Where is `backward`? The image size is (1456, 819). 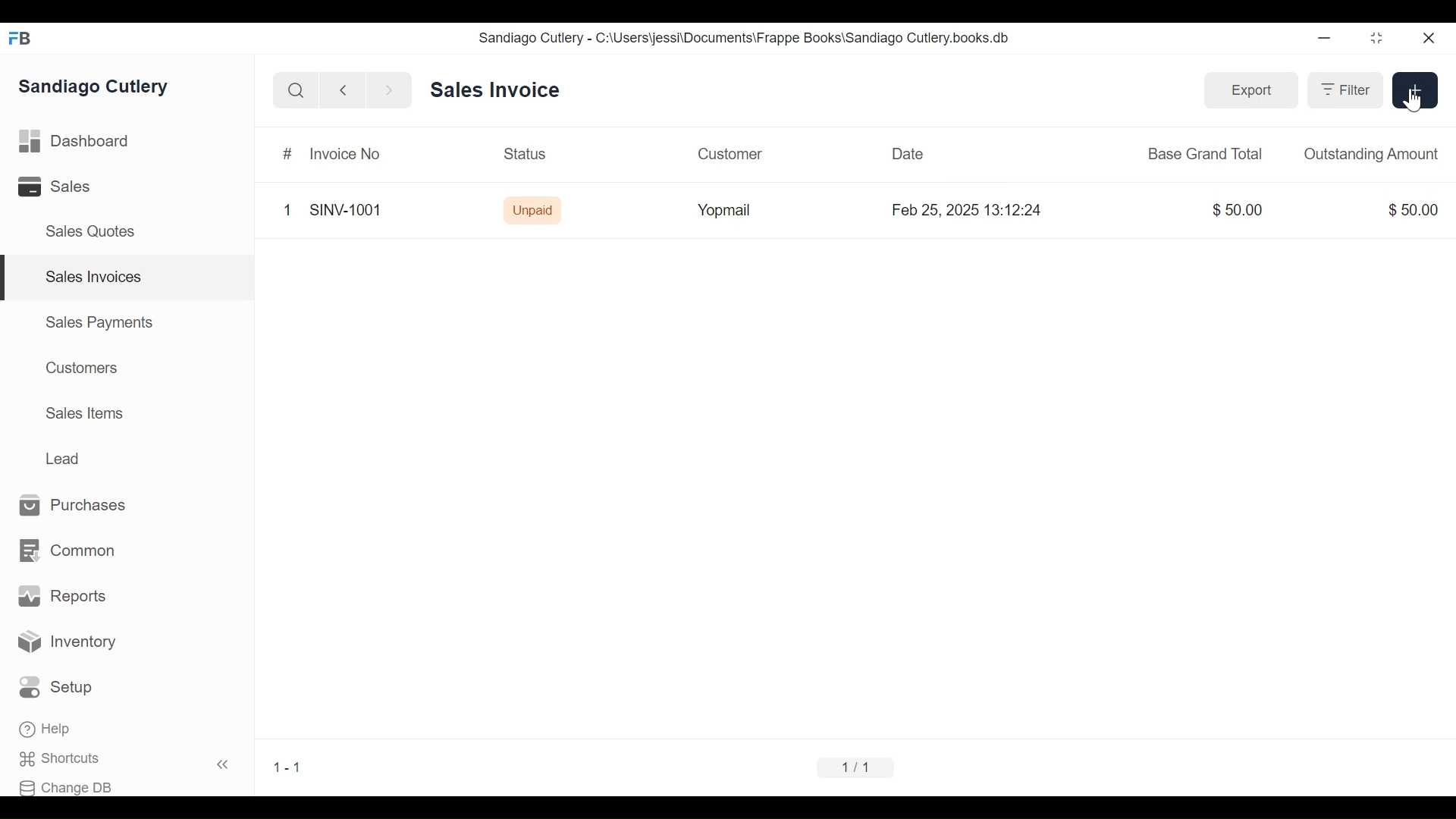
backward is located at coordinates (344, 90).